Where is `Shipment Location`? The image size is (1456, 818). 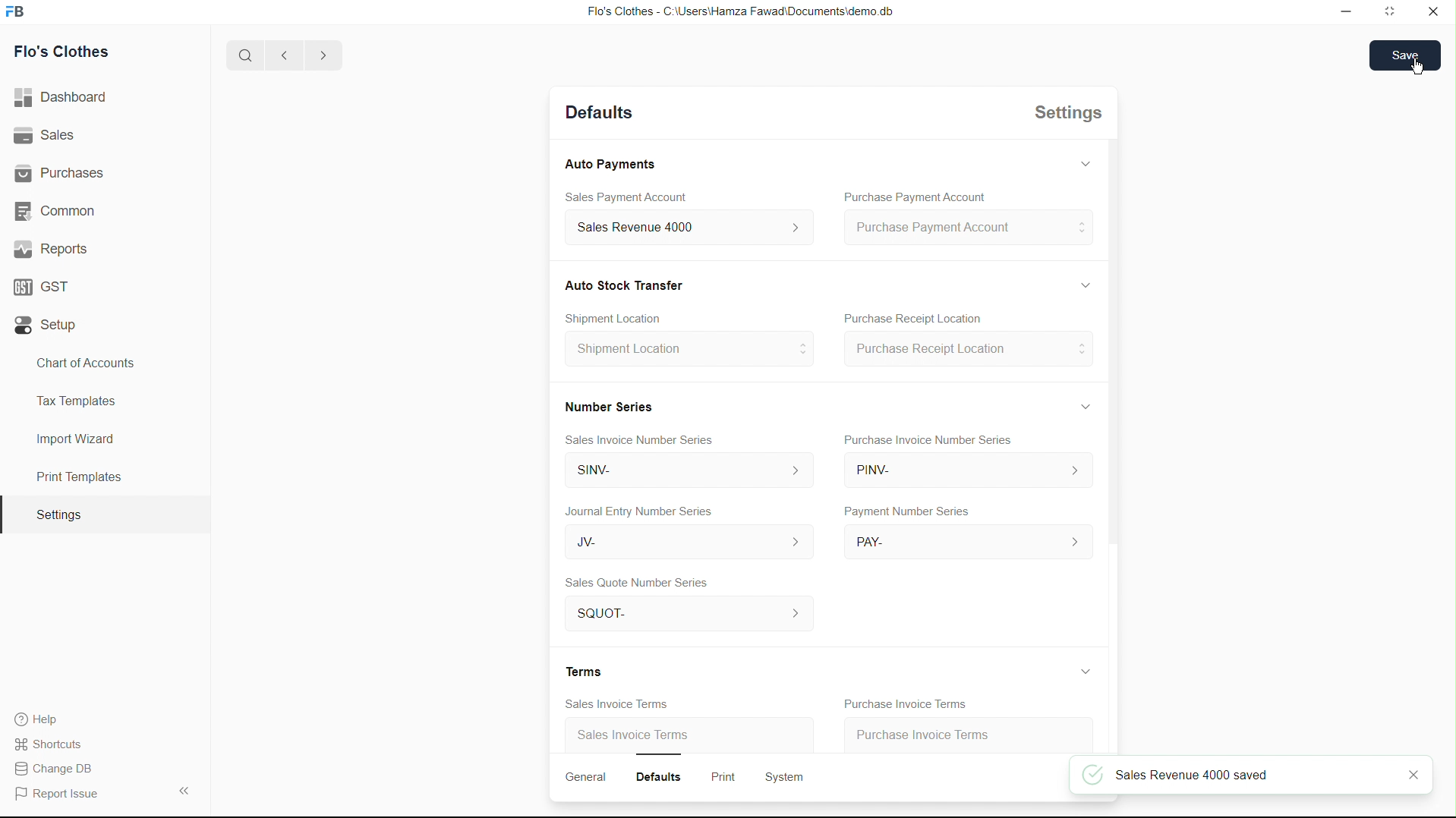
Shipment Location is located at coordinates (686, 350).